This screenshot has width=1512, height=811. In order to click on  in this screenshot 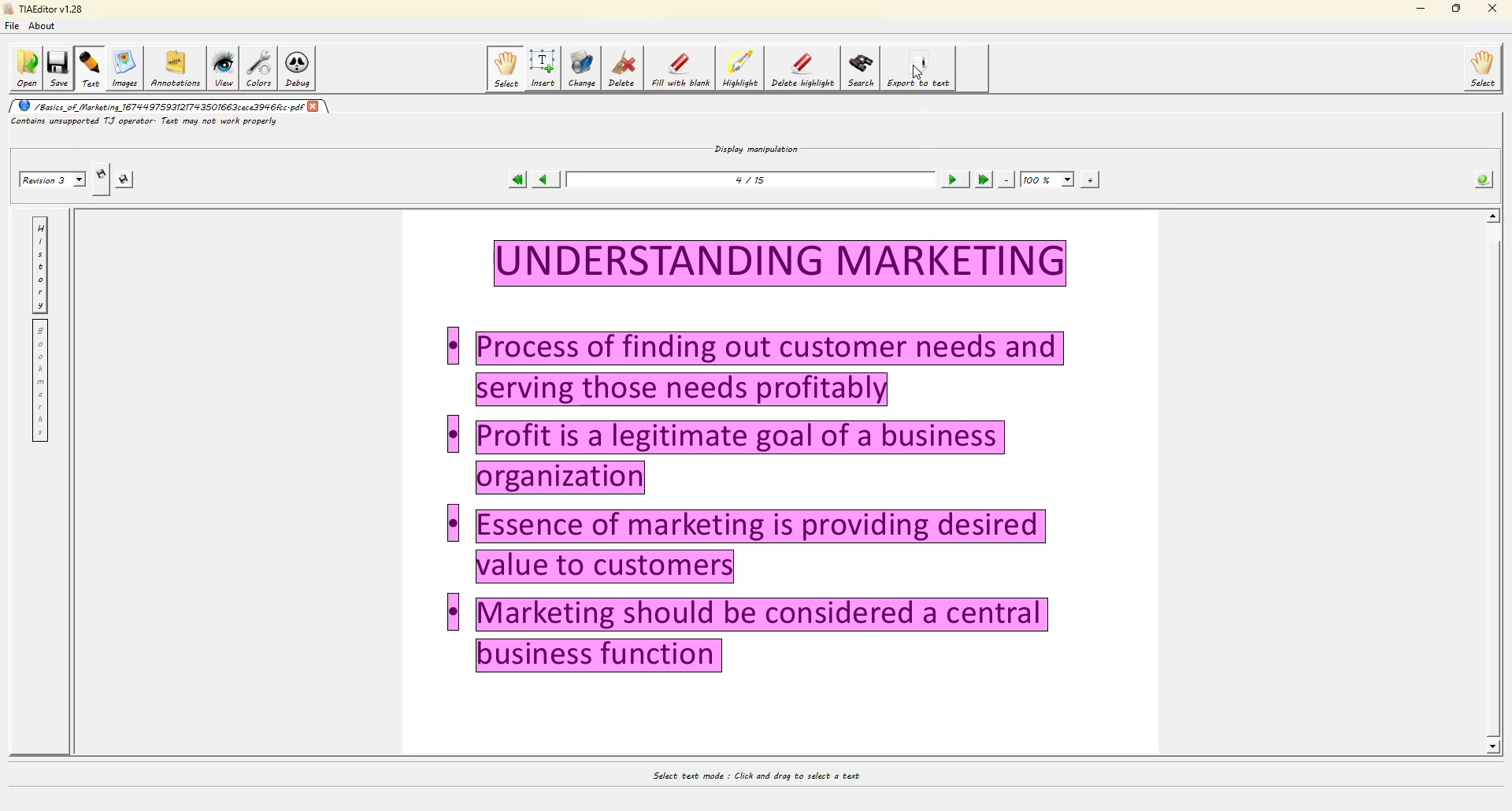, I will do `click(452, 520)`.